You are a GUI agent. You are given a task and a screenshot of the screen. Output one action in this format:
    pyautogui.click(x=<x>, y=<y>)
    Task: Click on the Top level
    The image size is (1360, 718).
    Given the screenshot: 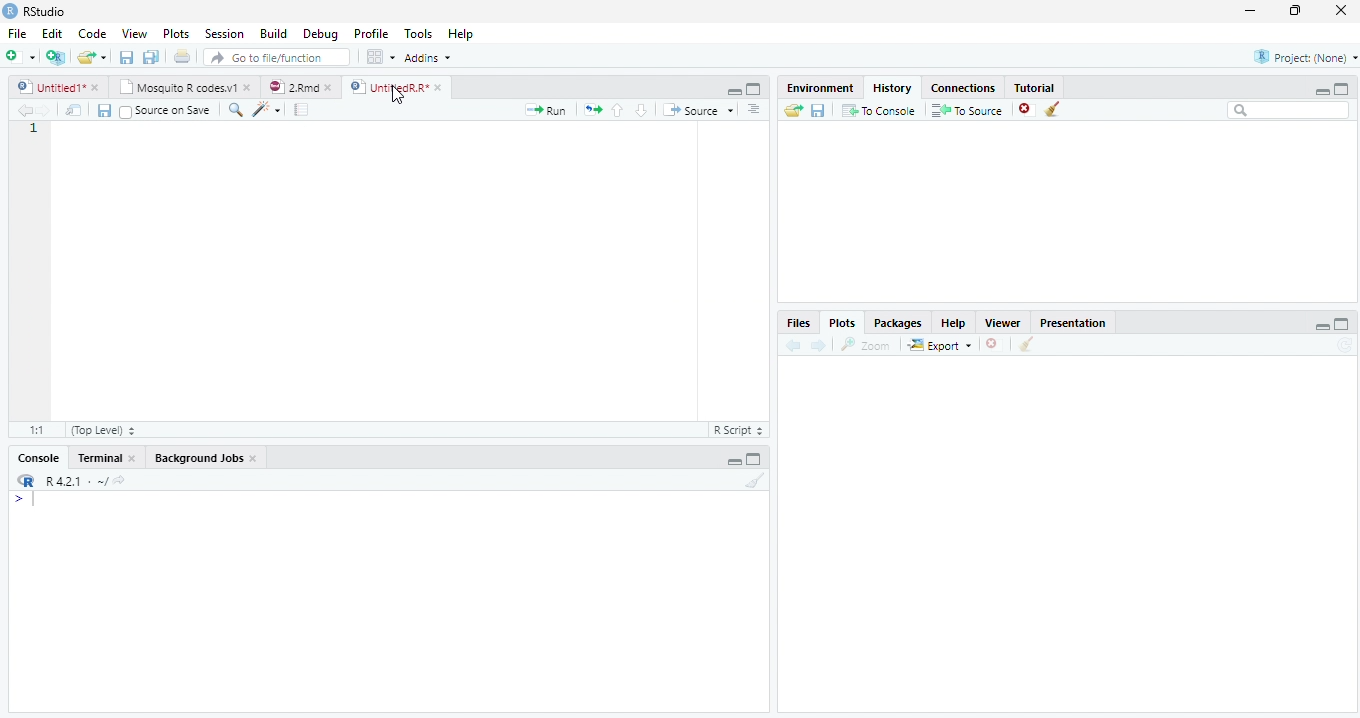 What is the action you would take?
    pyautogui.click(x=99, y=431)
    